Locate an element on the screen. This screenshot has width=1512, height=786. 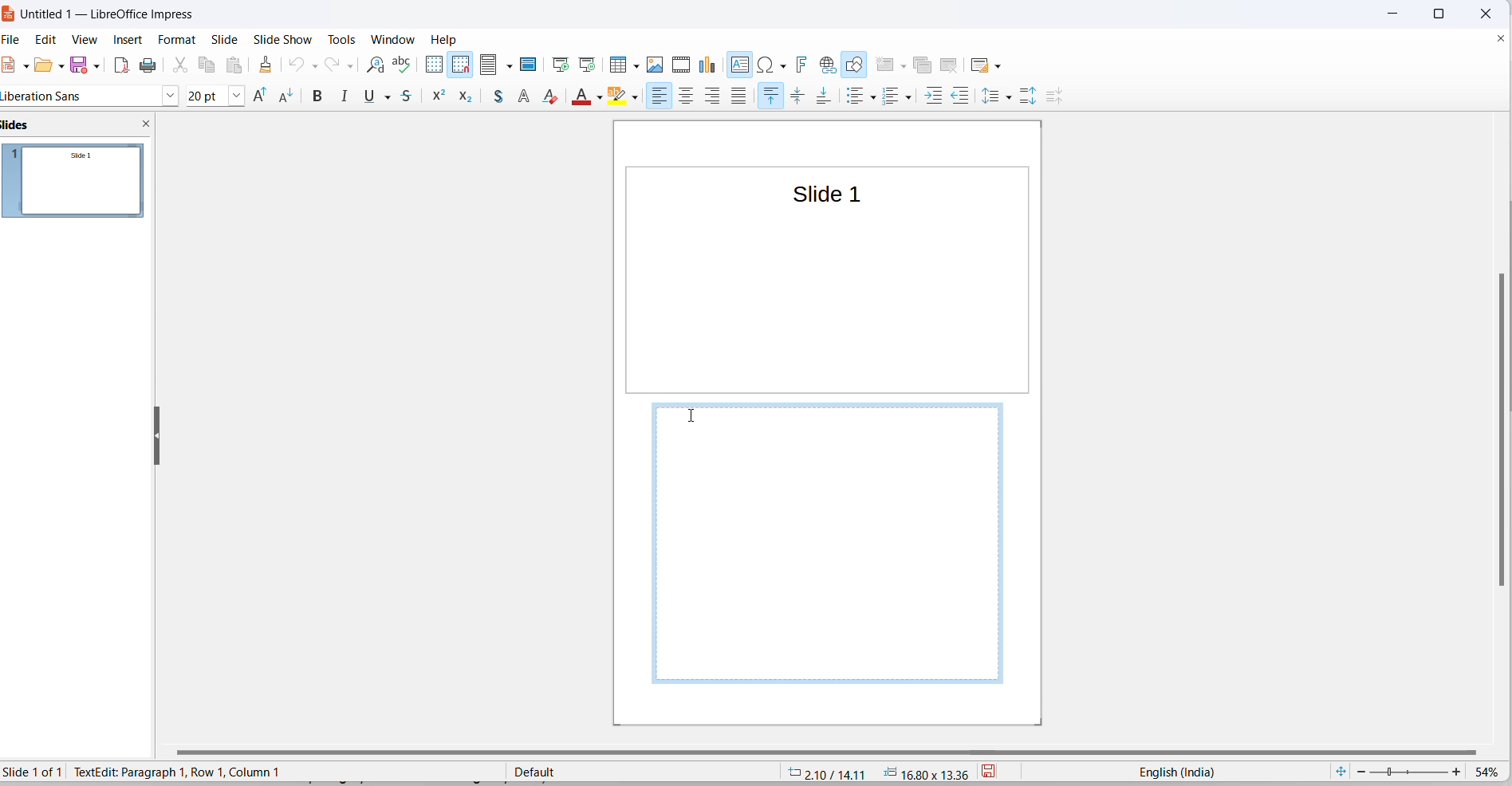
distribute object is located at coordinates (688, 98).